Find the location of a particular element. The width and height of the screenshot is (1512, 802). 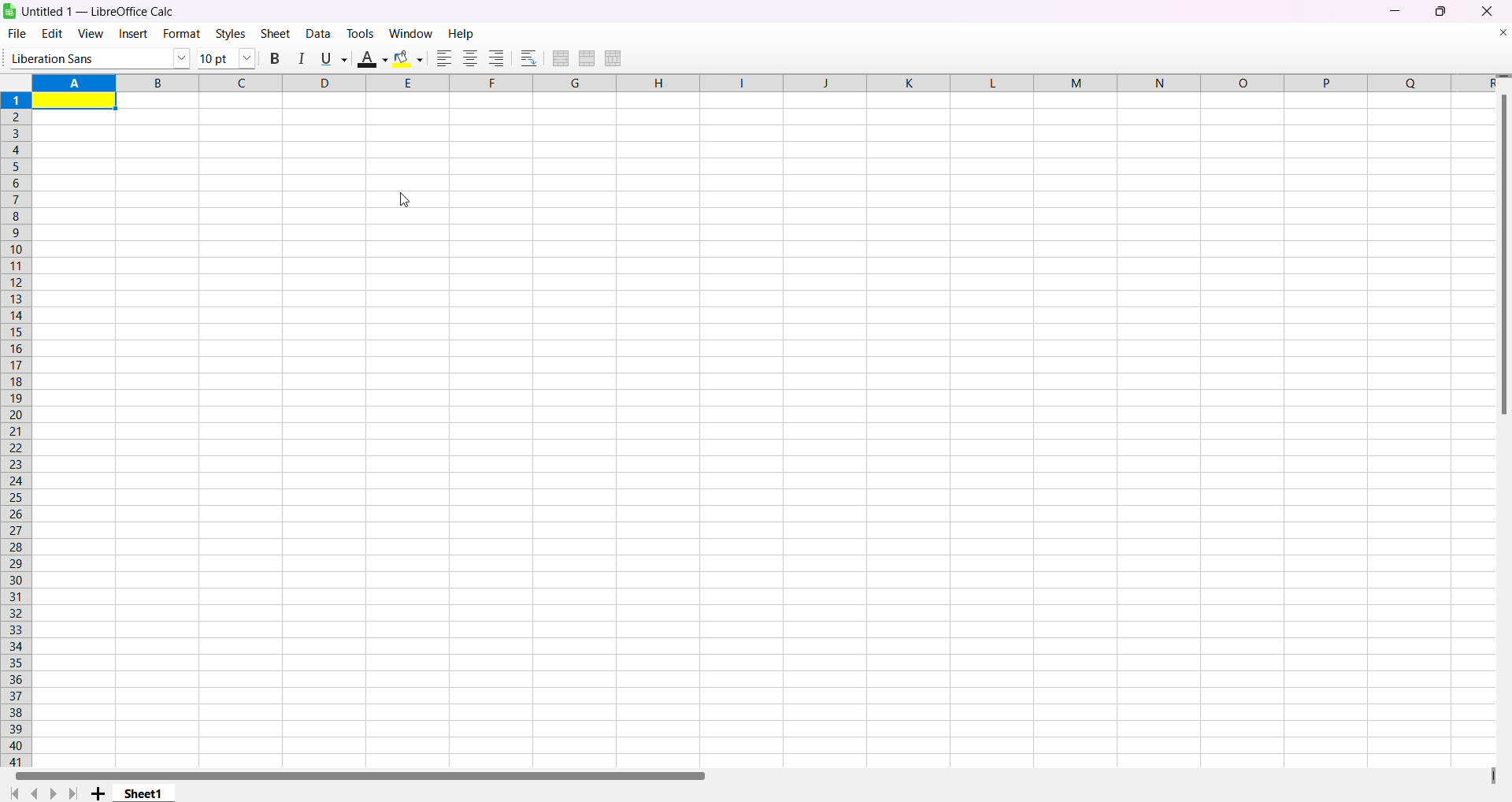

file is located at coordinates (20, 33).